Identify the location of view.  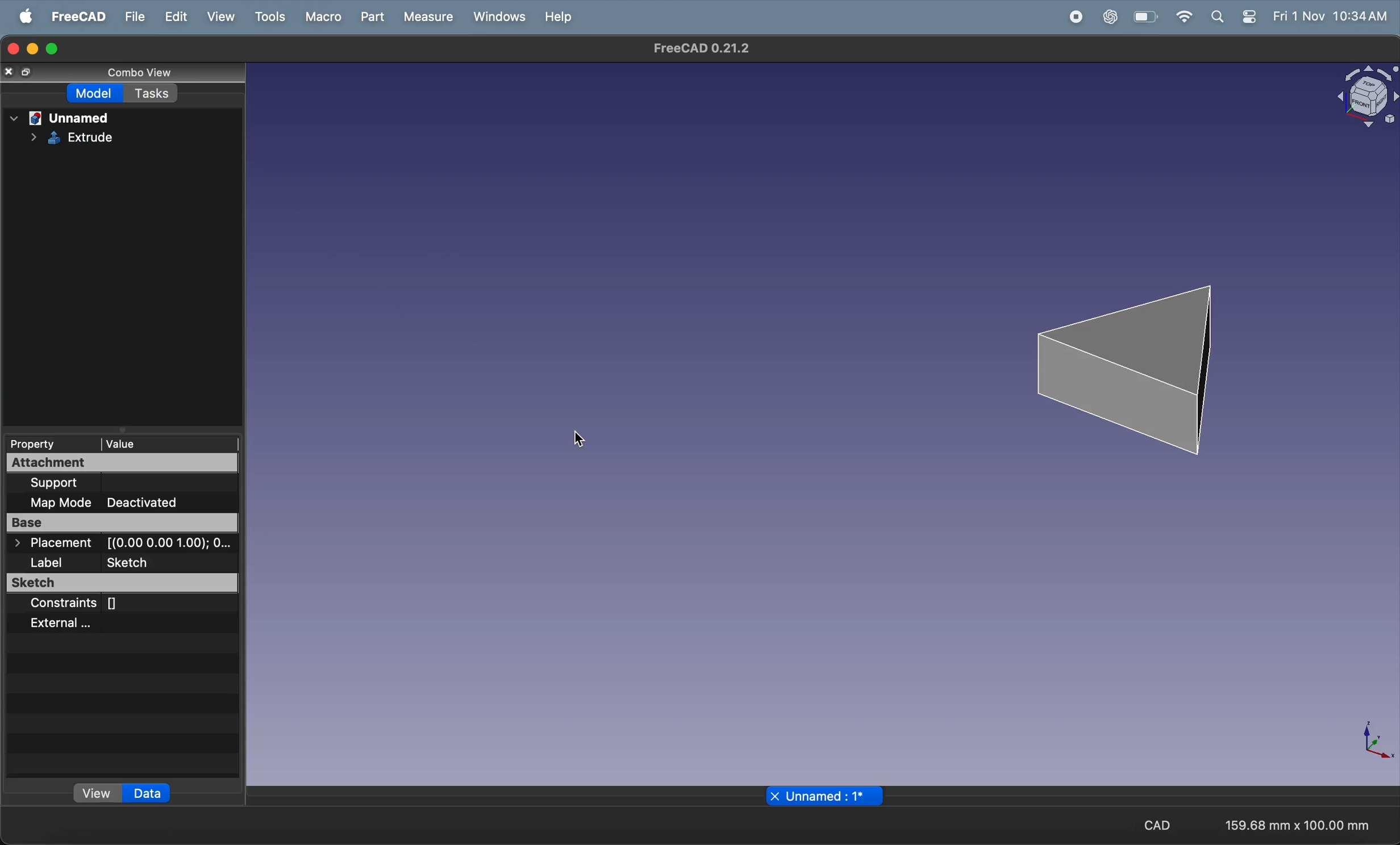
(98, 795).